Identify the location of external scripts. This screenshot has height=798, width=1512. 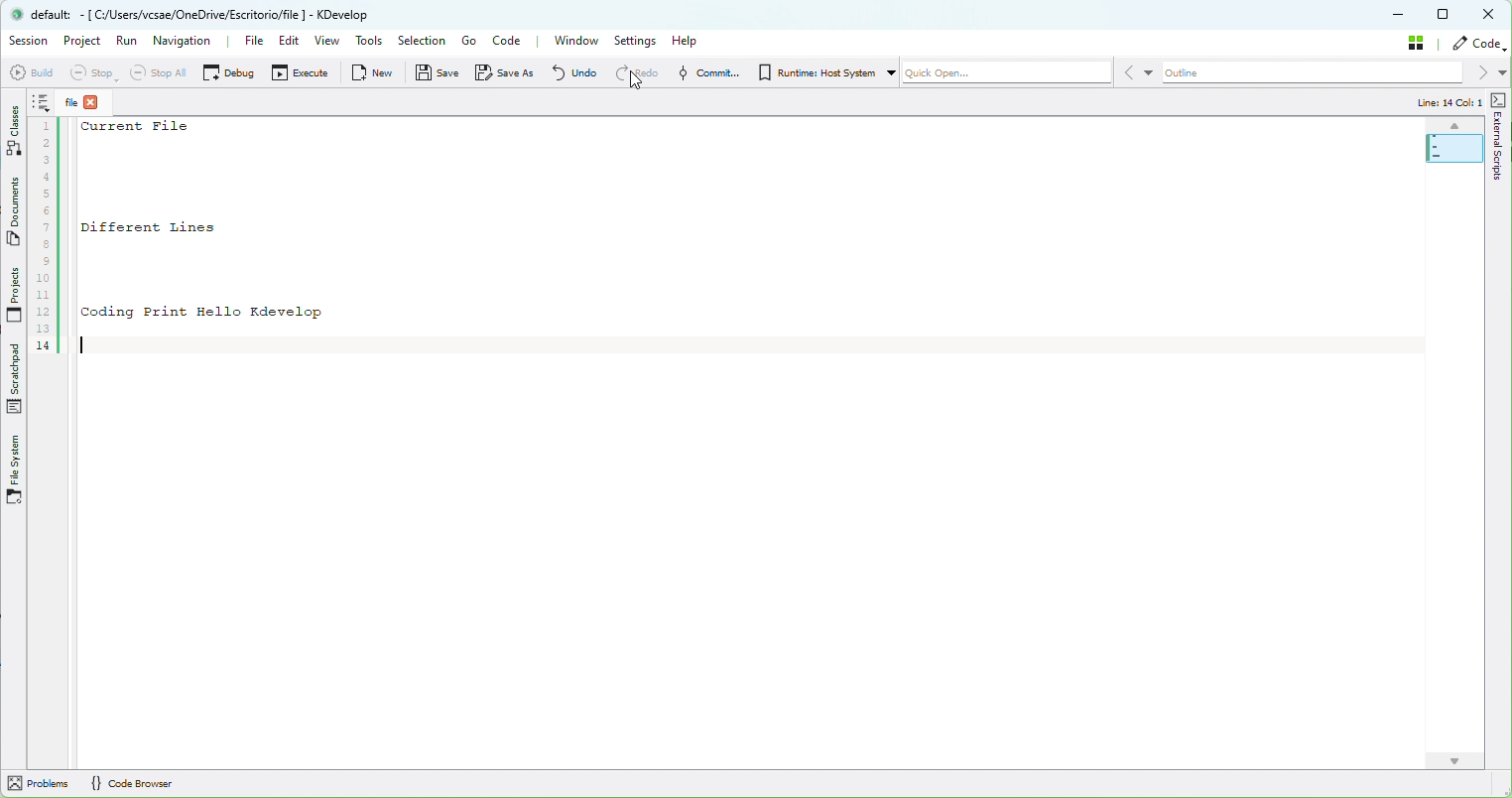
(1497, 149).